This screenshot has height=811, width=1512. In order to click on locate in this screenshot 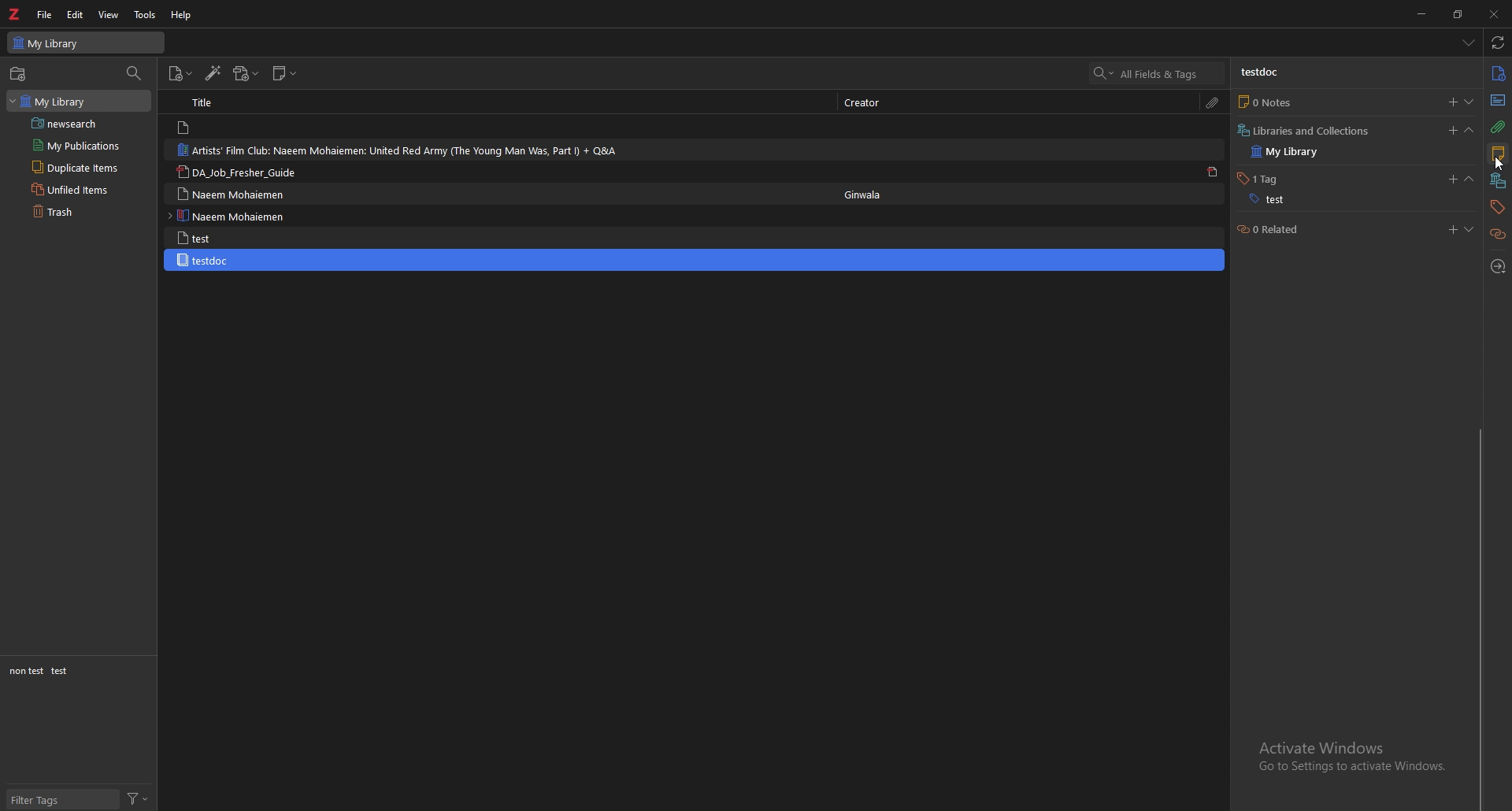, I will do `click(1498, 267)`.